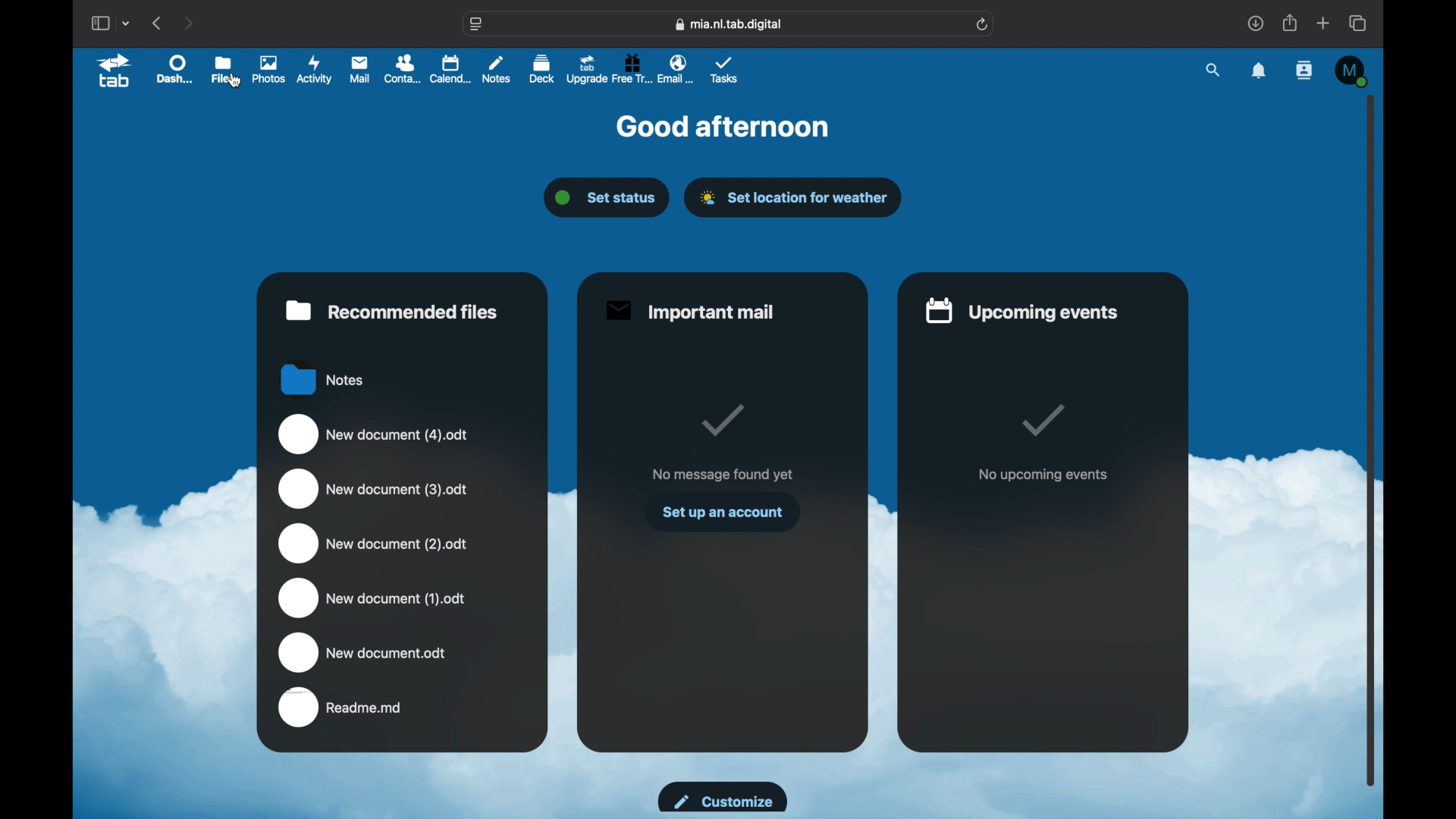 The width and height of the screenshot is (1456, 819). Describe the element at coordinates (372, 598) in the screenshot. I see `new document` at that location.